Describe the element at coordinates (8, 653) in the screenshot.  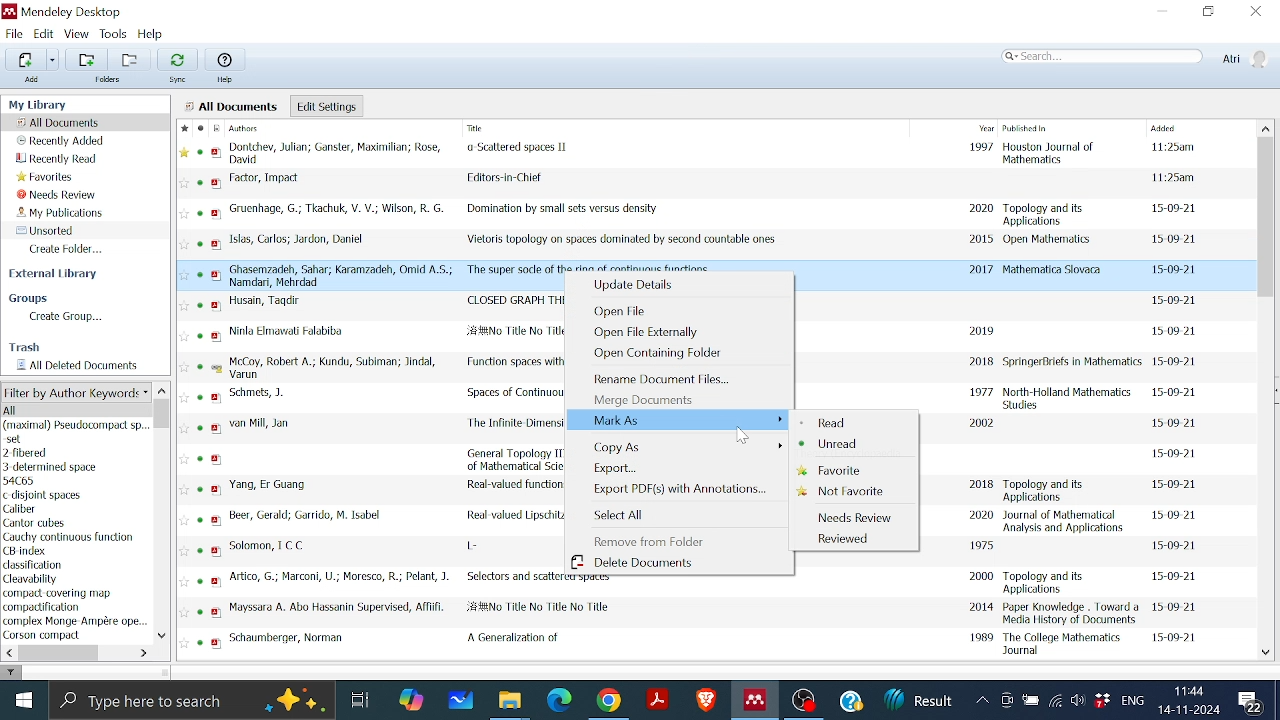
I see `Move left` at that location.